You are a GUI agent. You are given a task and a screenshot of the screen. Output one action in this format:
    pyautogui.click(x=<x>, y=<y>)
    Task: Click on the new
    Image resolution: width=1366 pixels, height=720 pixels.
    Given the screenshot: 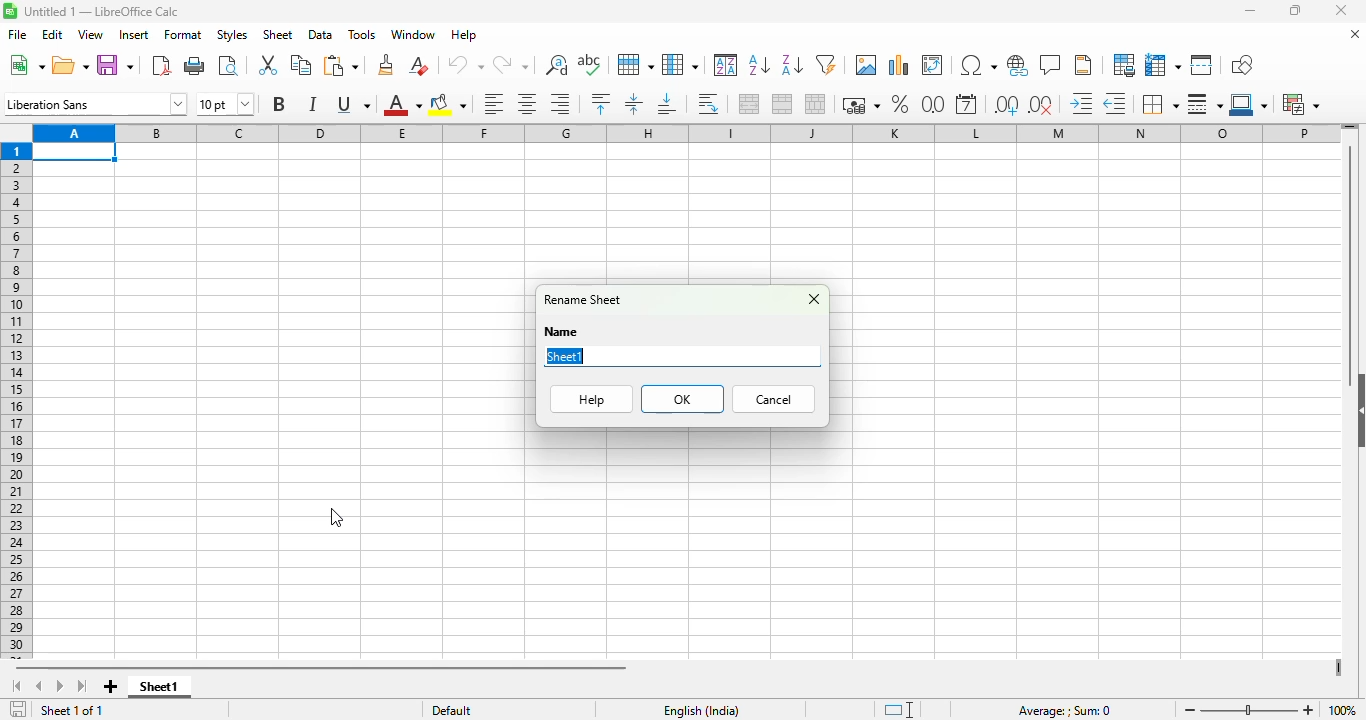 What is the action you would take?
    pyautogui.click(x=26, y=65)
    